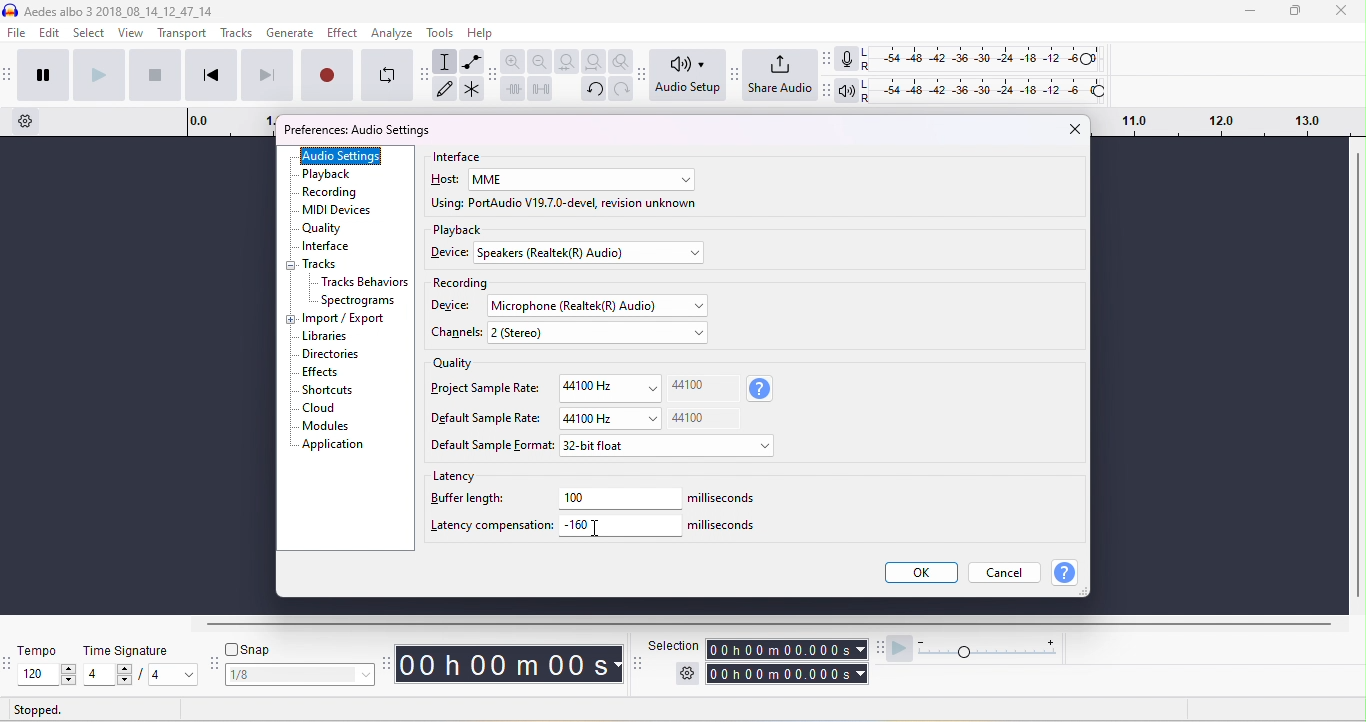 This screenshot has height=722, width=1366. I want to click on import/export, so click(346, 319).